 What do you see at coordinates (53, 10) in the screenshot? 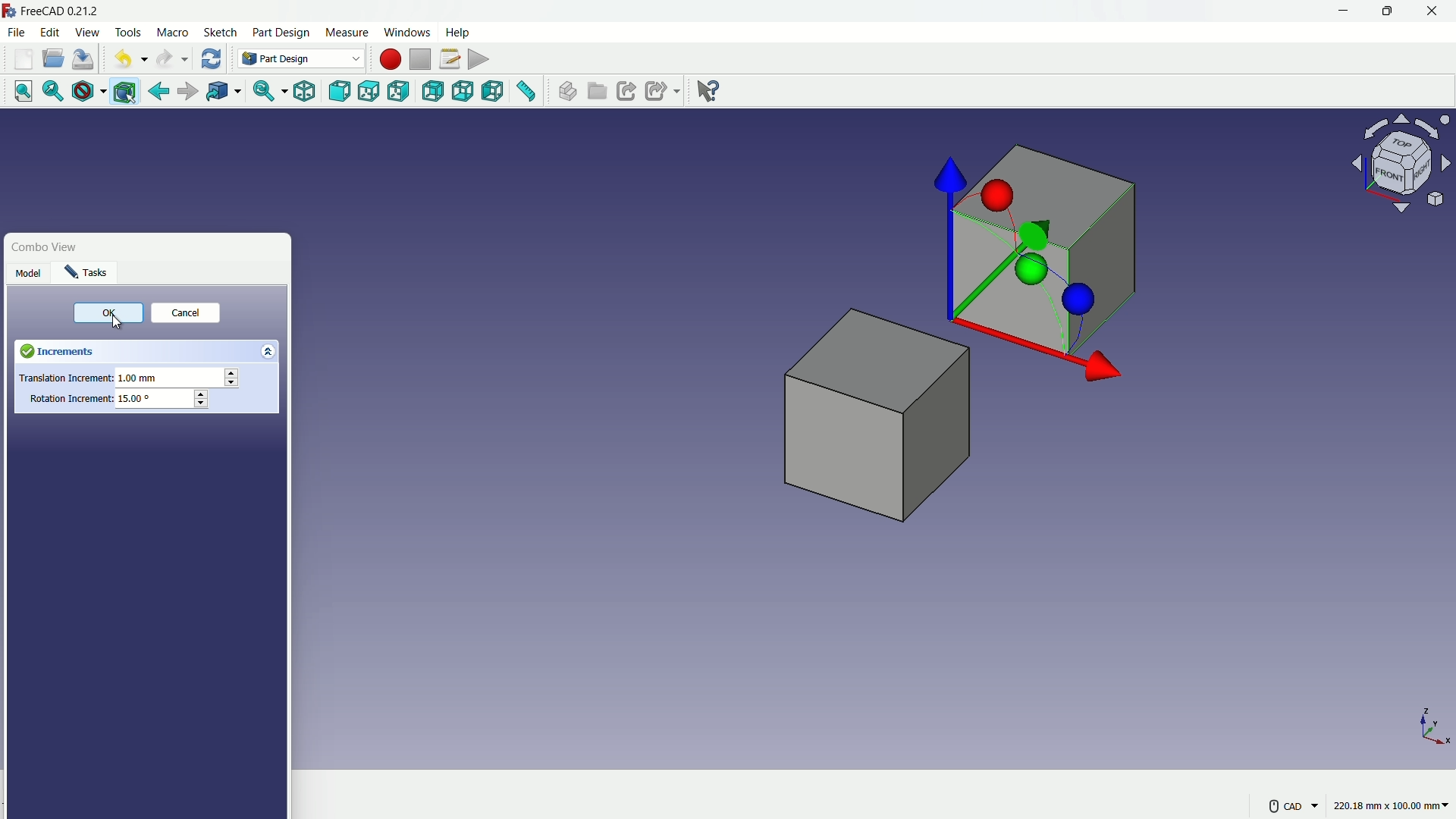
I see `FreeCAD 0.21.2` at bounding box center [53, 10].